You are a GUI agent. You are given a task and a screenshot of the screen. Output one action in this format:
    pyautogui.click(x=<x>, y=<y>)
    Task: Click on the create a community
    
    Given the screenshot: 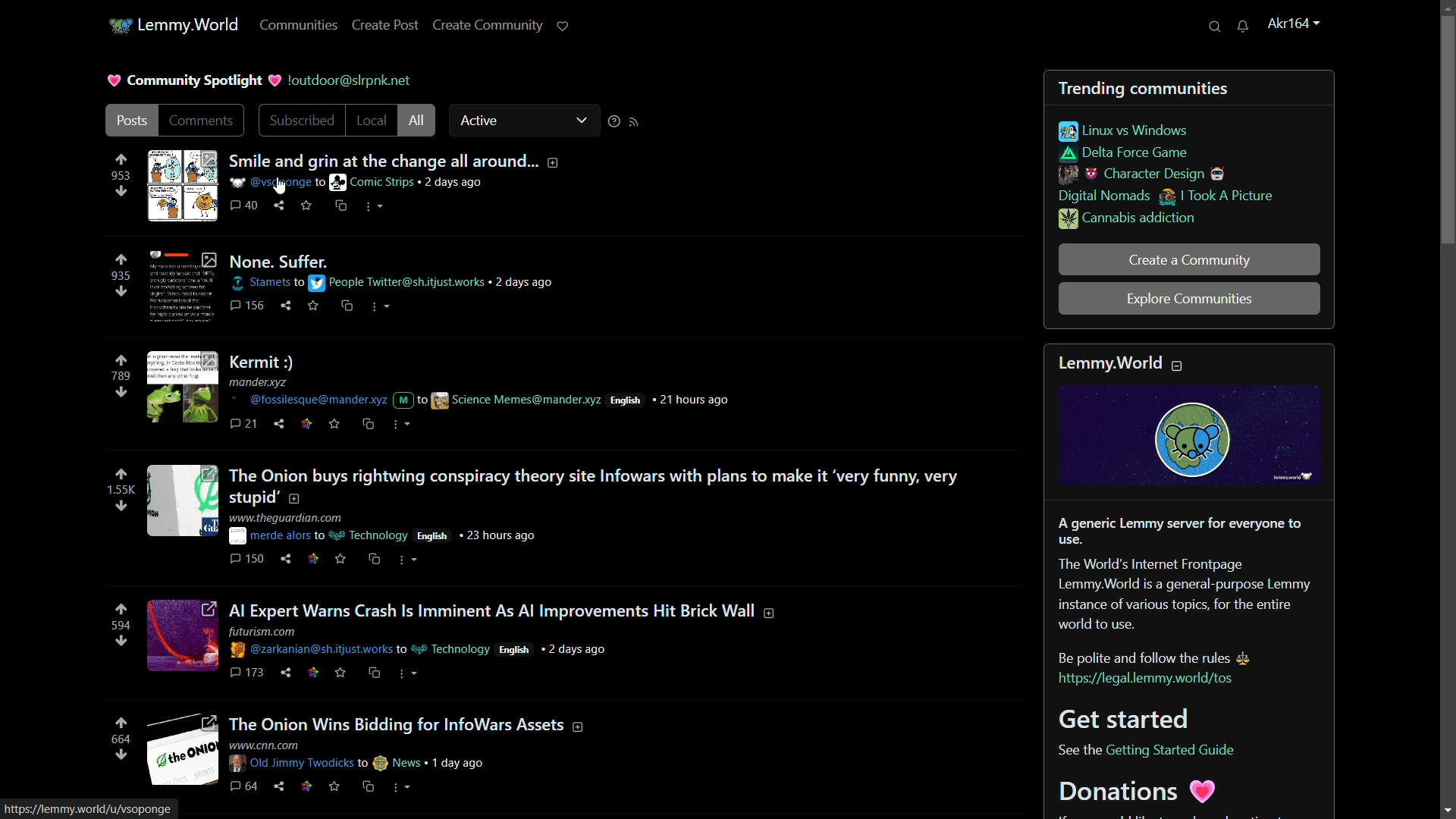 What is the action you would take?
    pyautogui.click(x=1186, y=260)
    